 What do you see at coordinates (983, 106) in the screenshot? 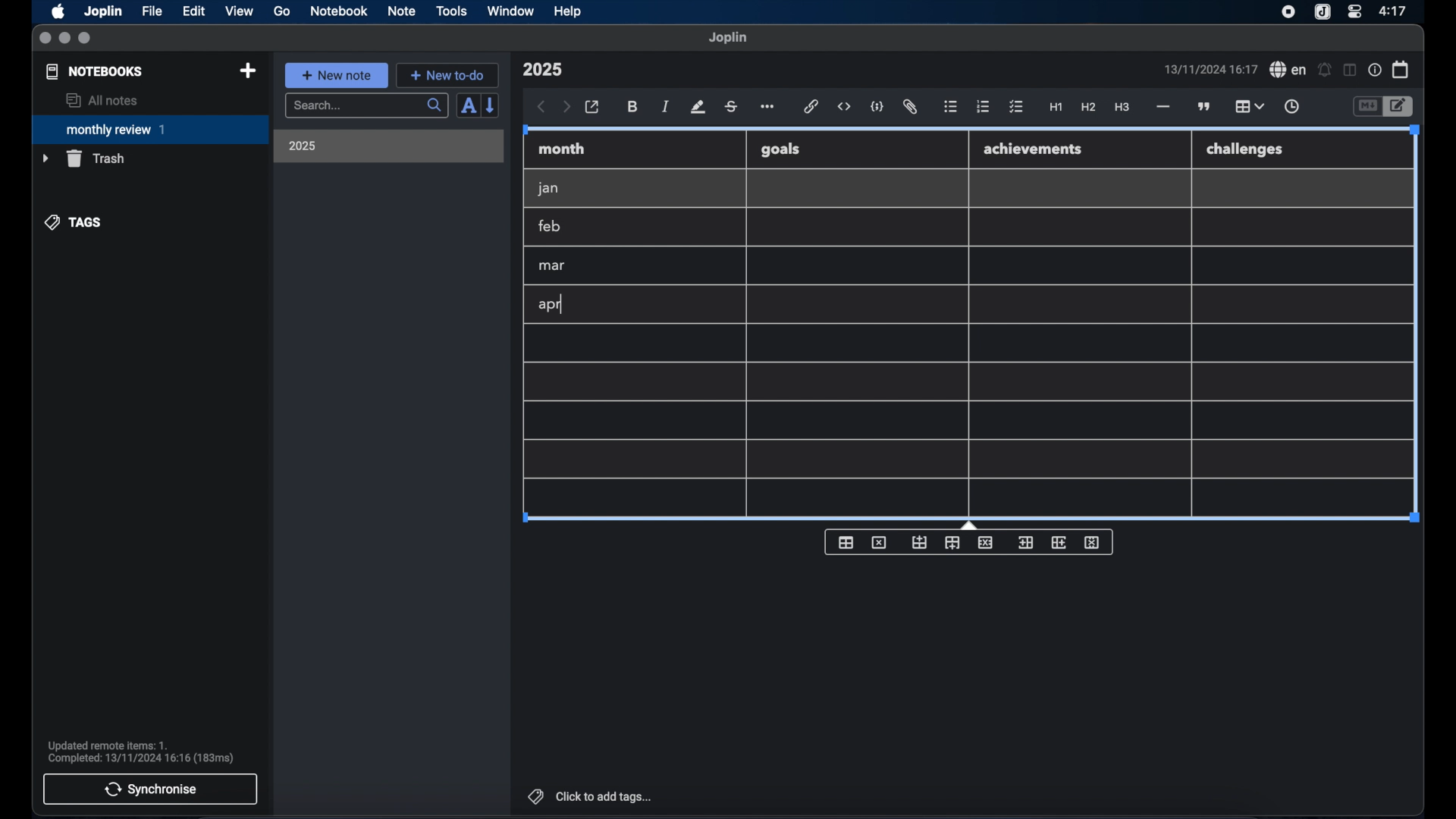
I see `numbered list` at bounding box center [983, 106].